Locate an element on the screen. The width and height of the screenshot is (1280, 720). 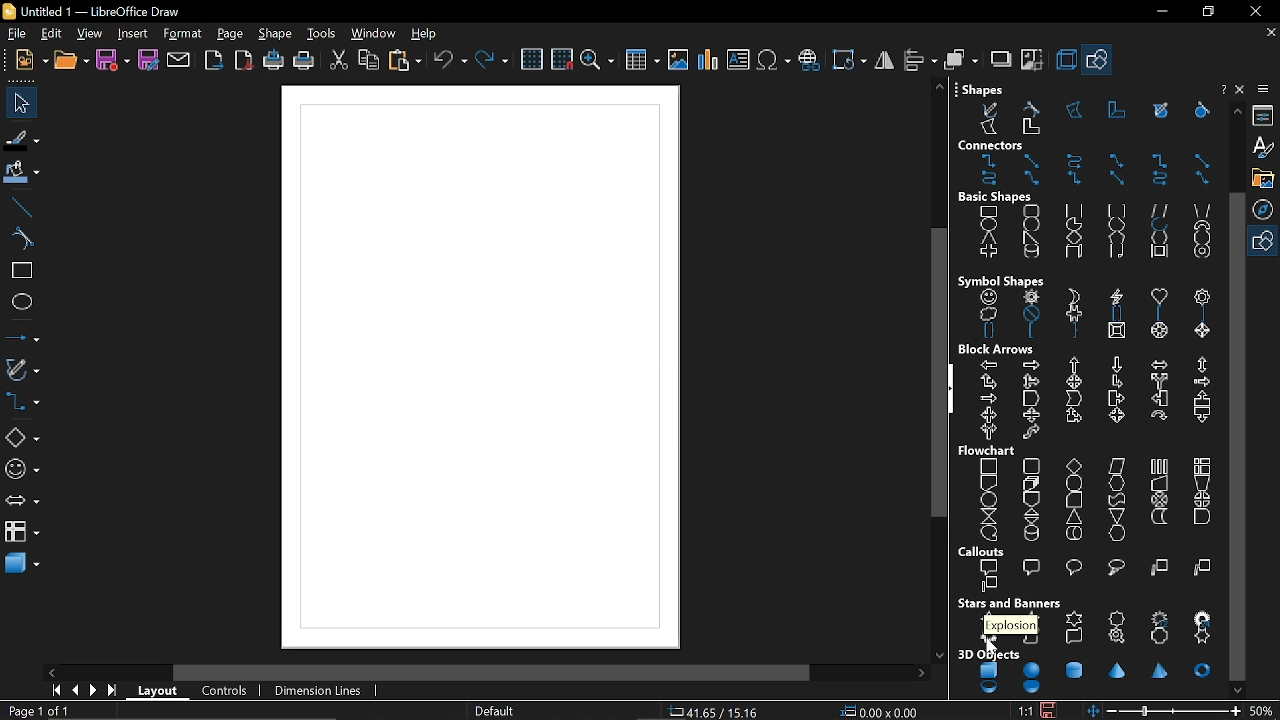
paste is located at coordinates (404, 60).